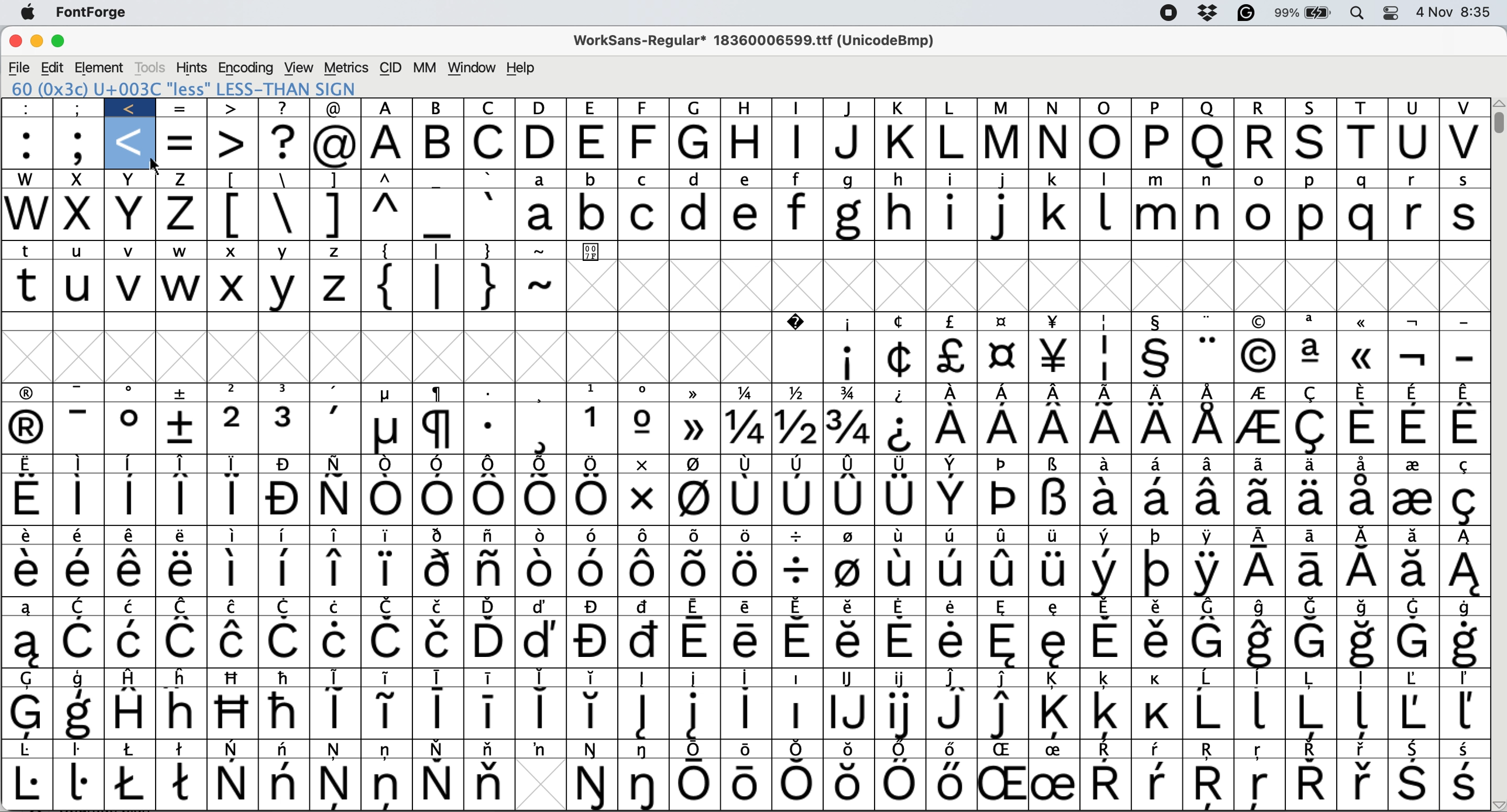 The width and height of the screenshot is (1507, 812). I want to click on Symbol, so click(1413, 607).